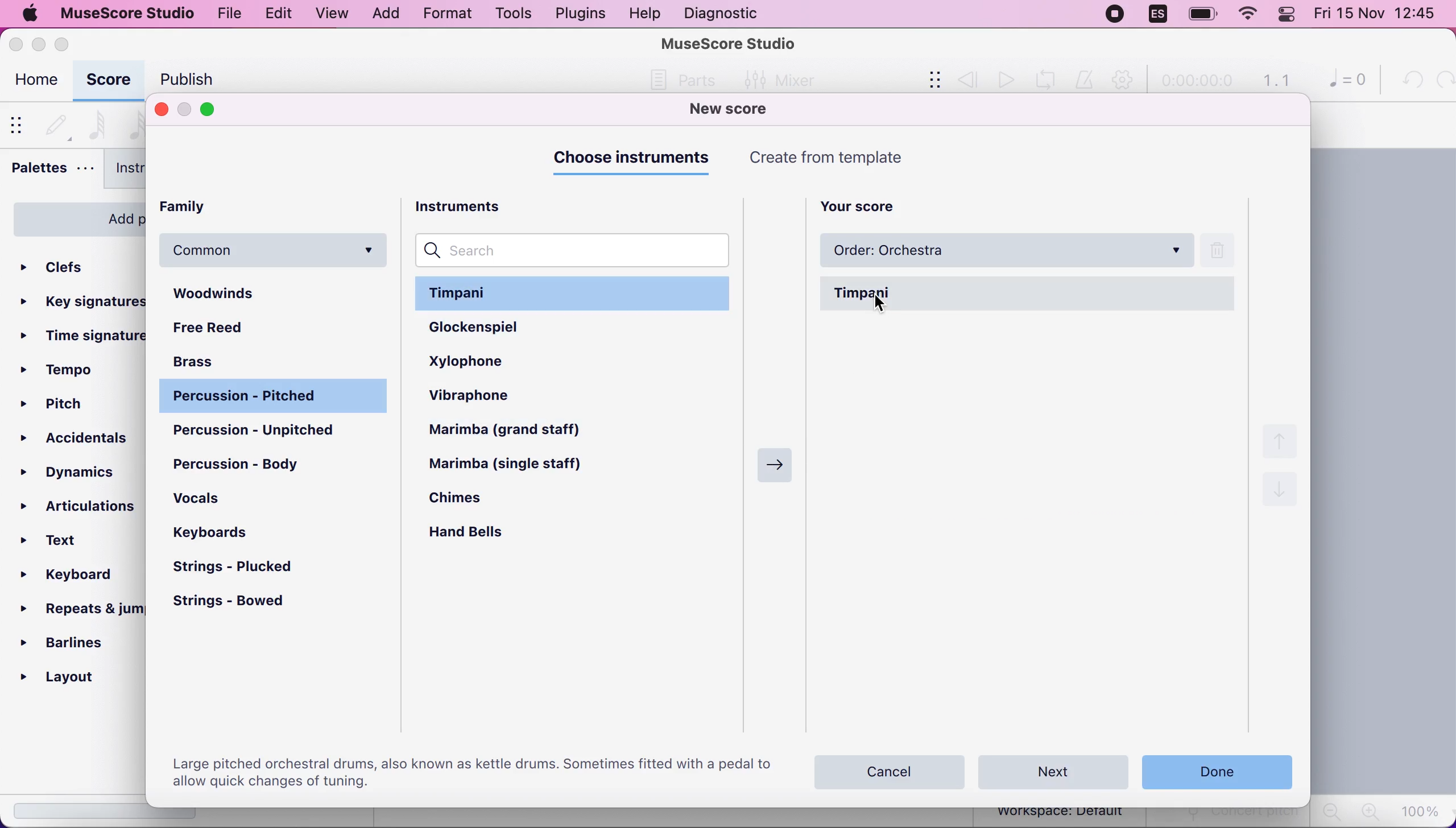 The height and width of the screenshot is (828, 1456). What do you see at coordinates (51, 171) in the screenshot?
I see `palettes` at bounding box center [51, 171].